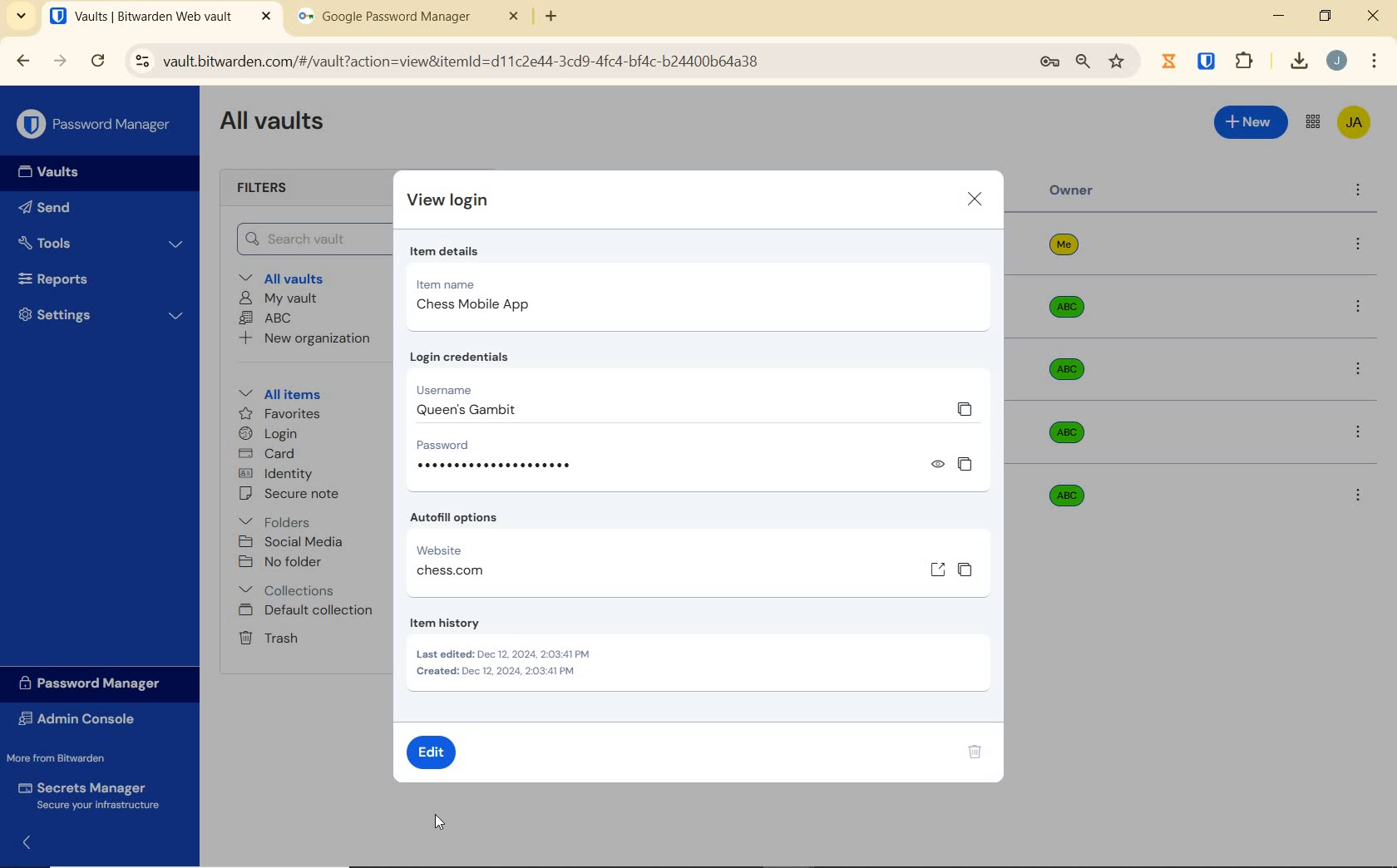  I want to click on more options, so click(1362, 497).